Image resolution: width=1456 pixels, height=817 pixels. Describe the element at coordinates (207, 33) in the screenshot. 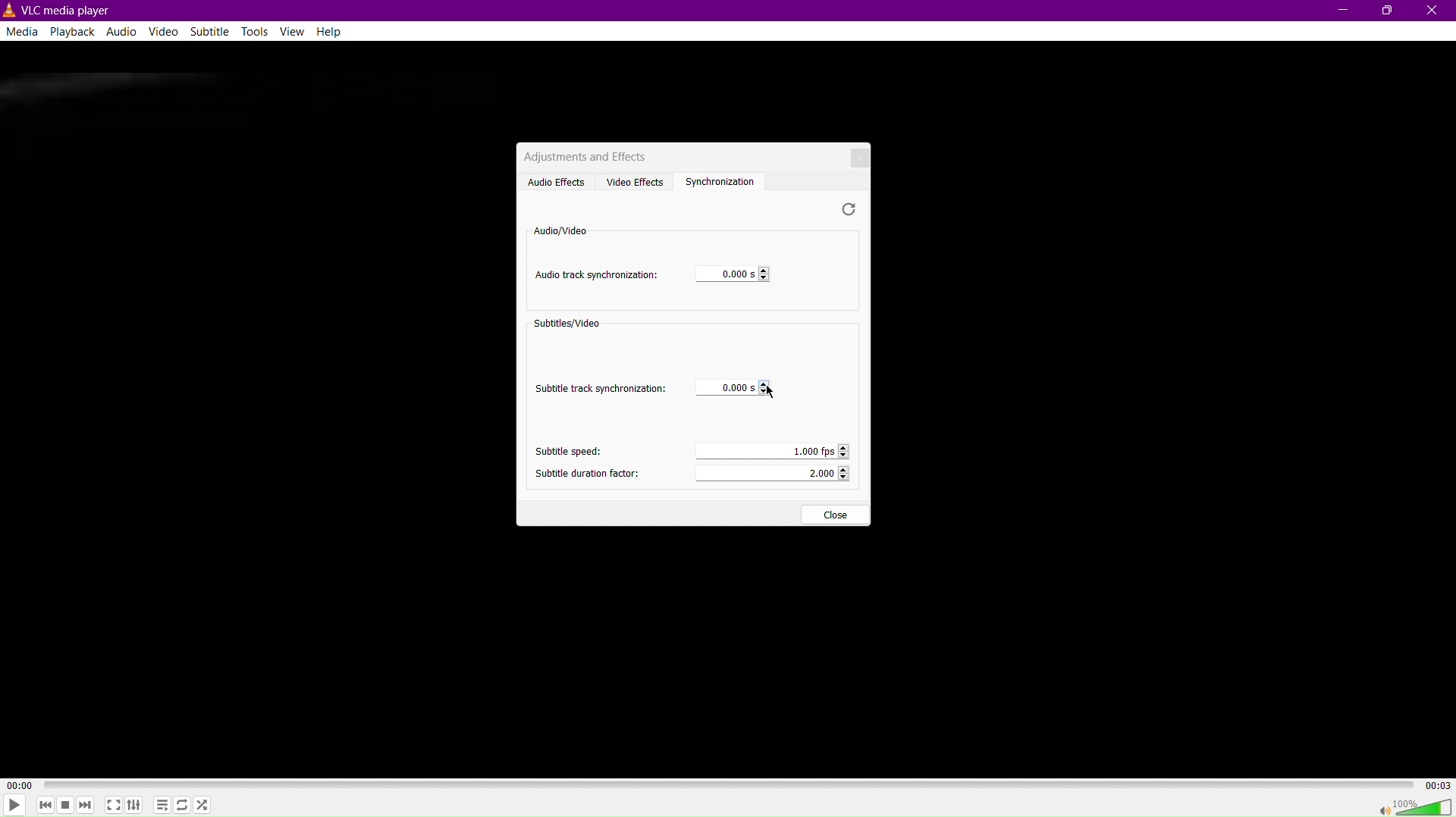

I see `Subtitle` at that location.